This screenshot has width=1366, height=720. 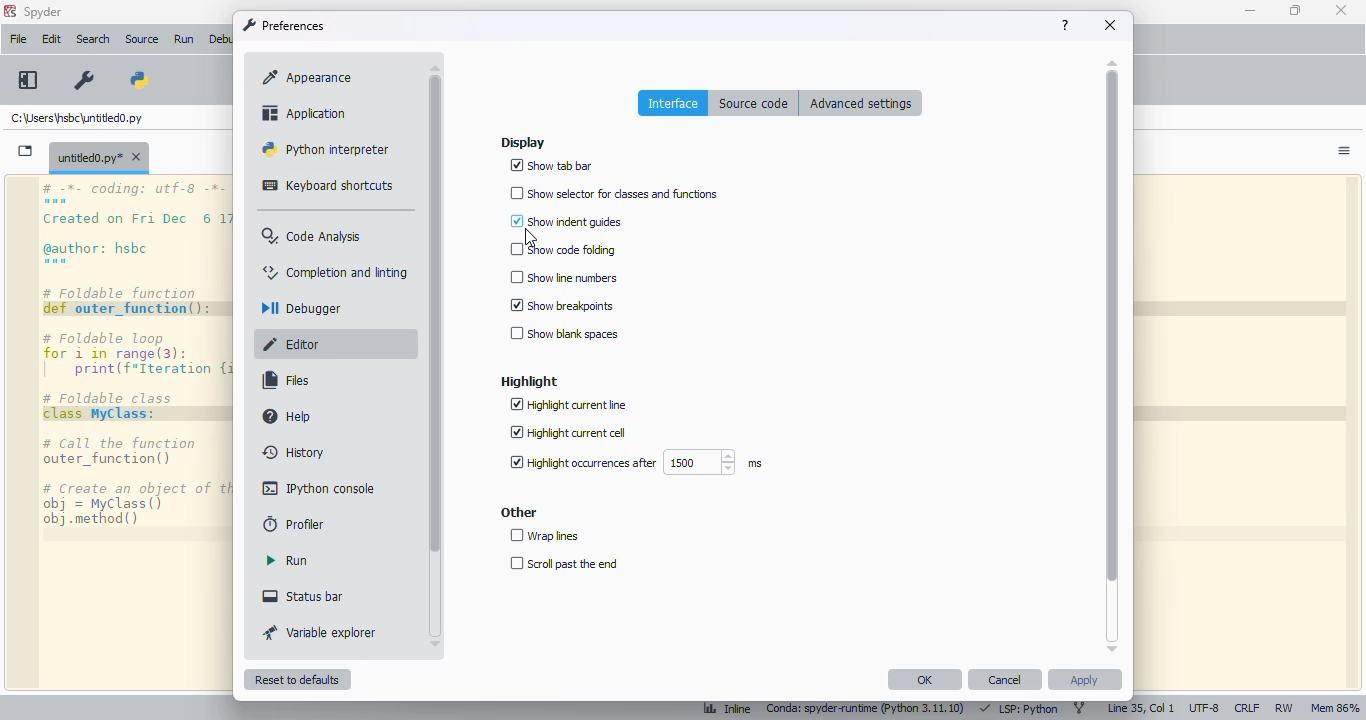 What do you see at coordinates (727, 710) in the screenshot?
I see `inline` at bounding box center [727, 710].